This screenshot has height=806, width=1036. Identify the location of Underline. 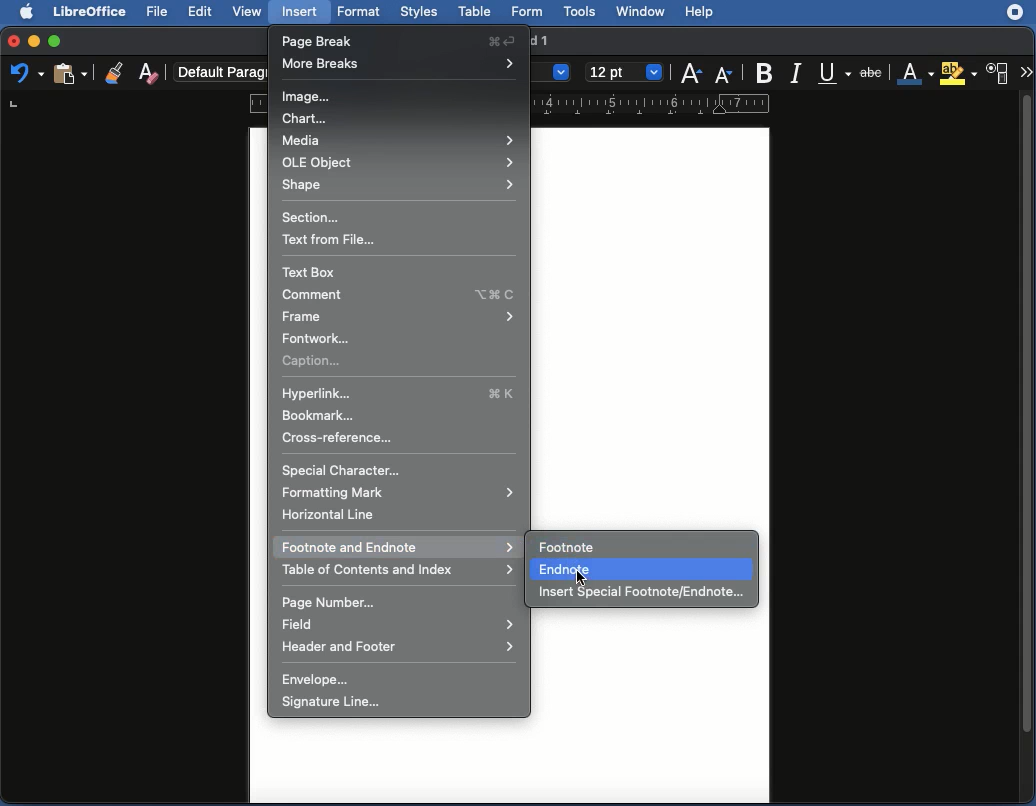
(836, 73).